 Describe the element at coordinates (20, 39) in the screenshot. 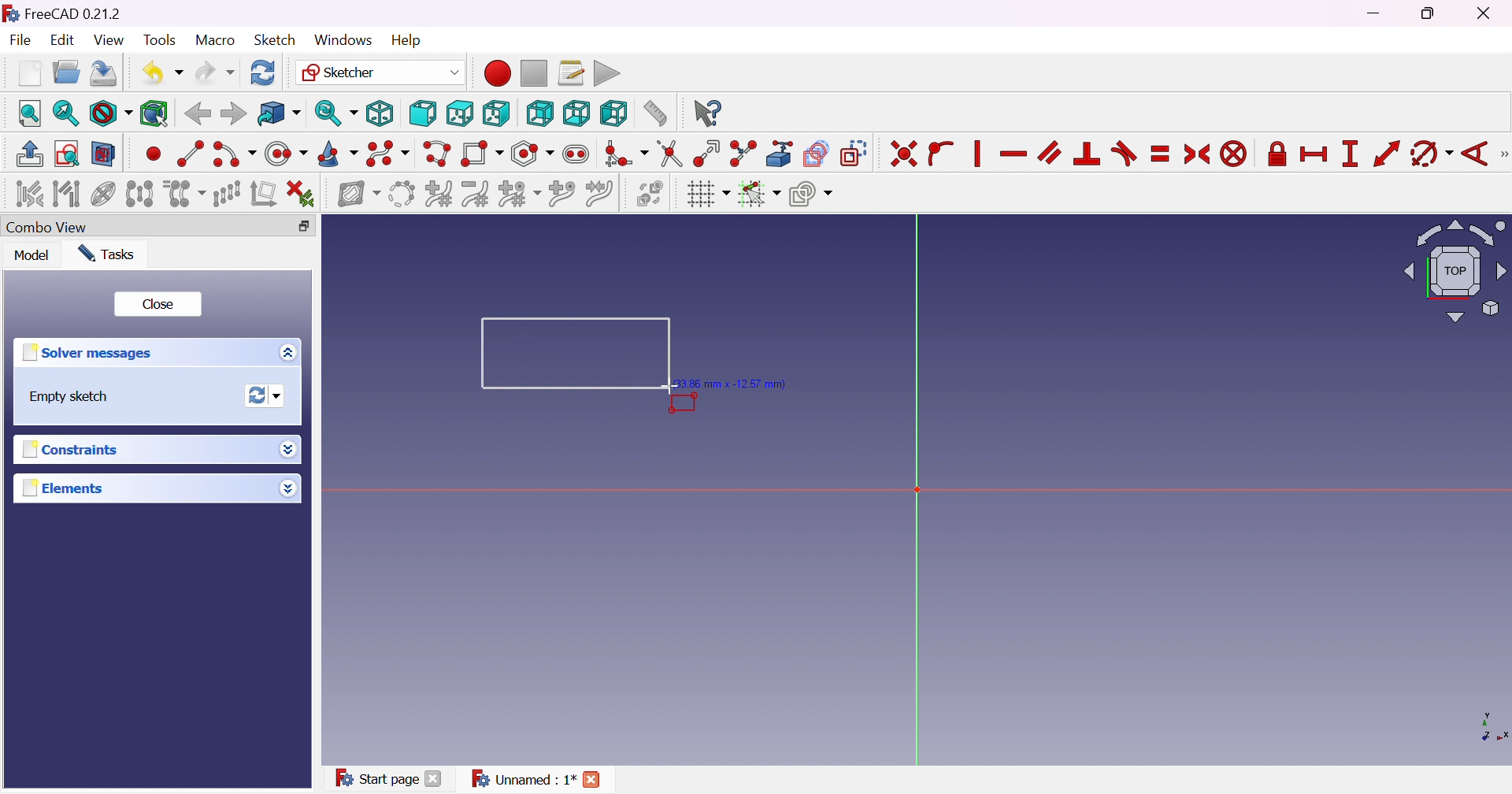

I see `File` at that location.